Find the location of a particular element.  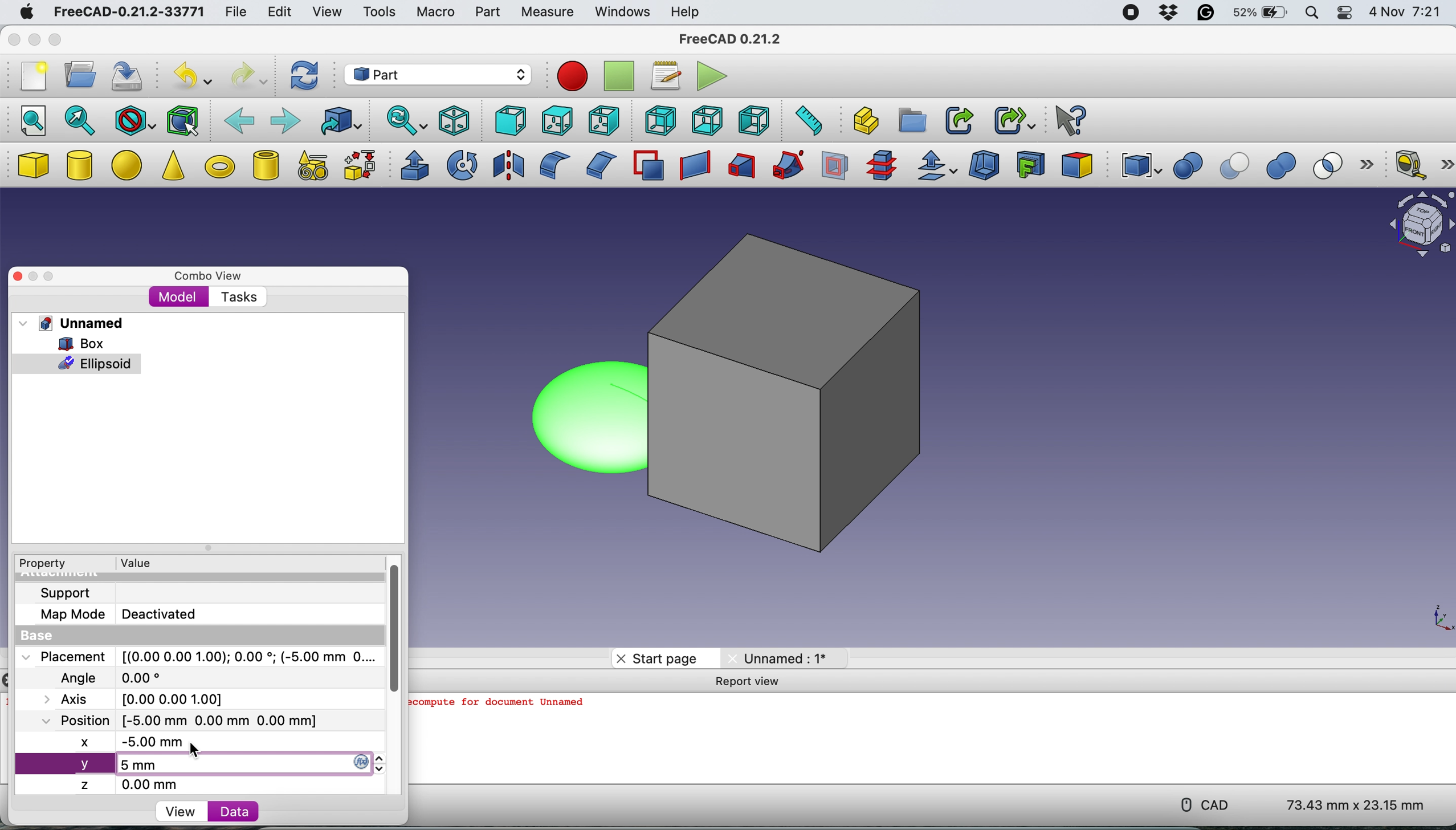

vertical scroll bar is located at coordinates (390, 625).